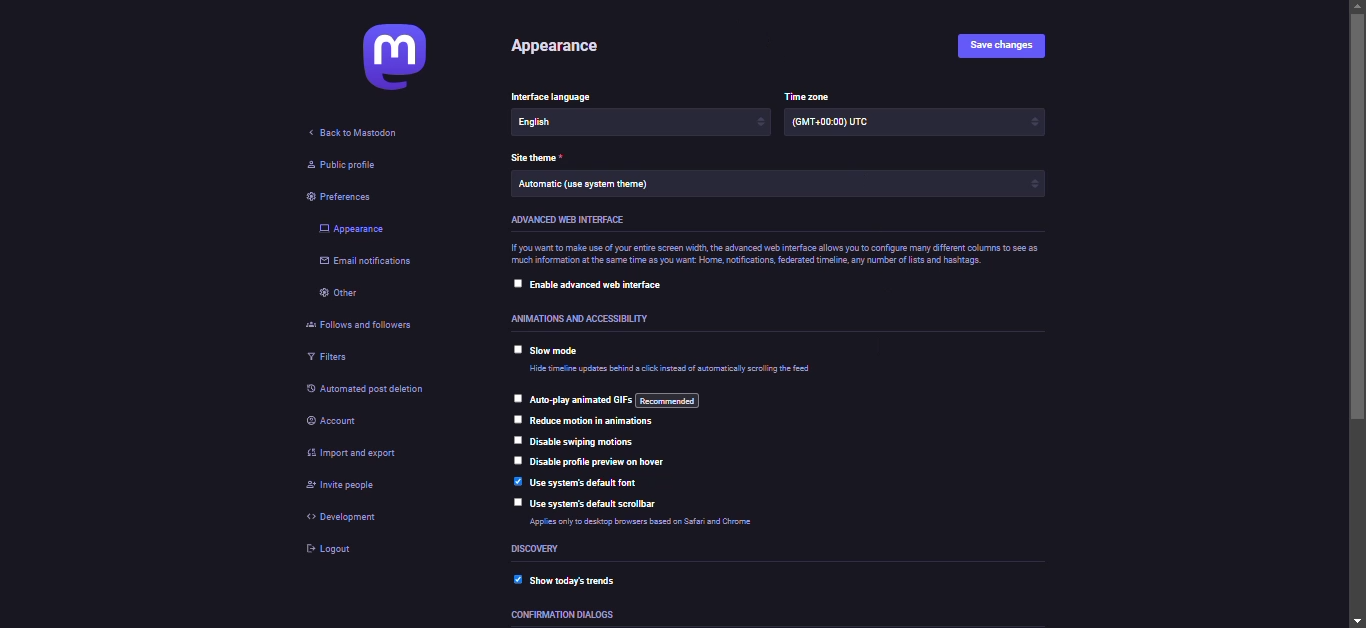 This screenshot has width=1366, height=628. I want to click on slow mode, so click(560, 351).